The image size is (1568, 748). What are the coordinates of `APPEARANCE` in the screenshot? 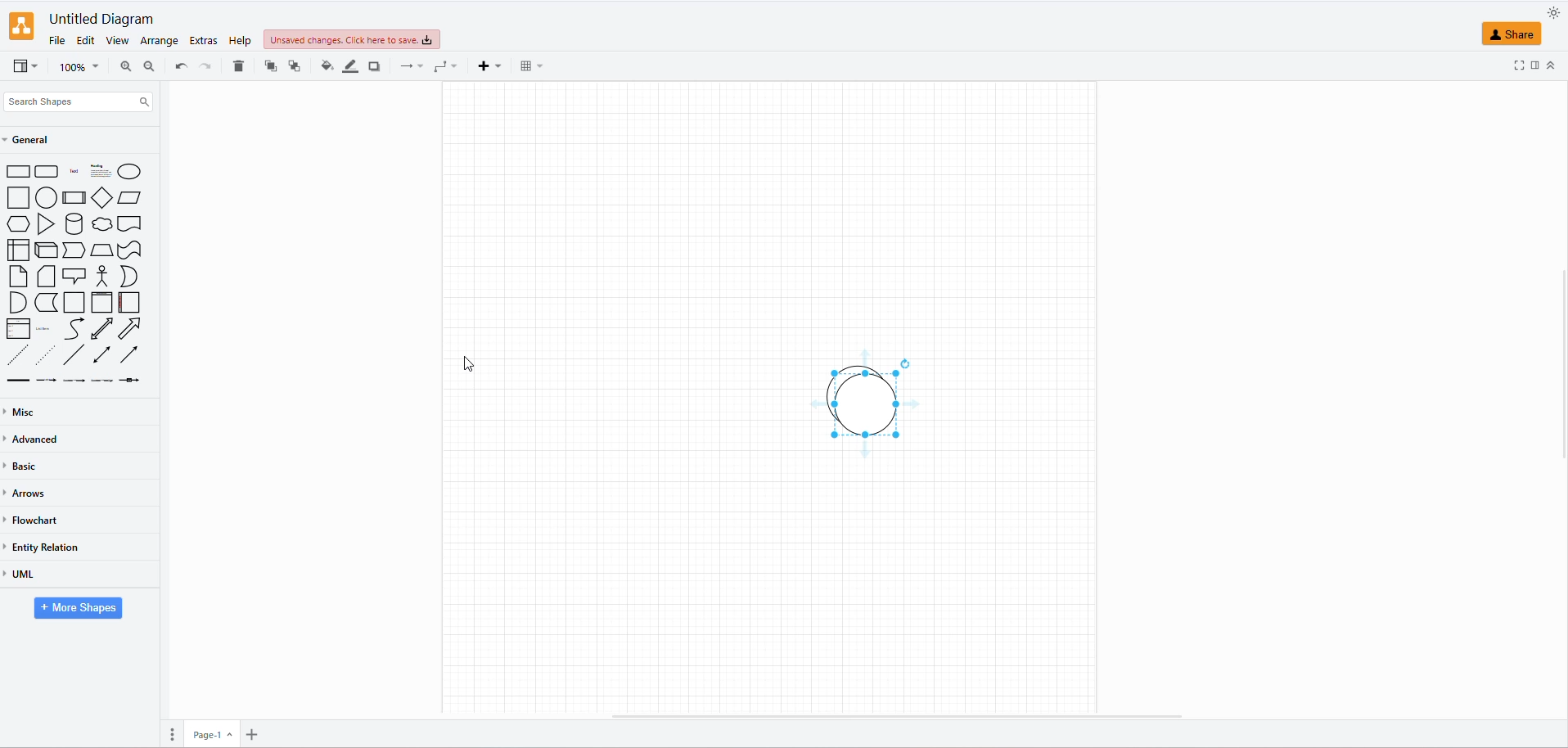 It's located at (1554, 12).